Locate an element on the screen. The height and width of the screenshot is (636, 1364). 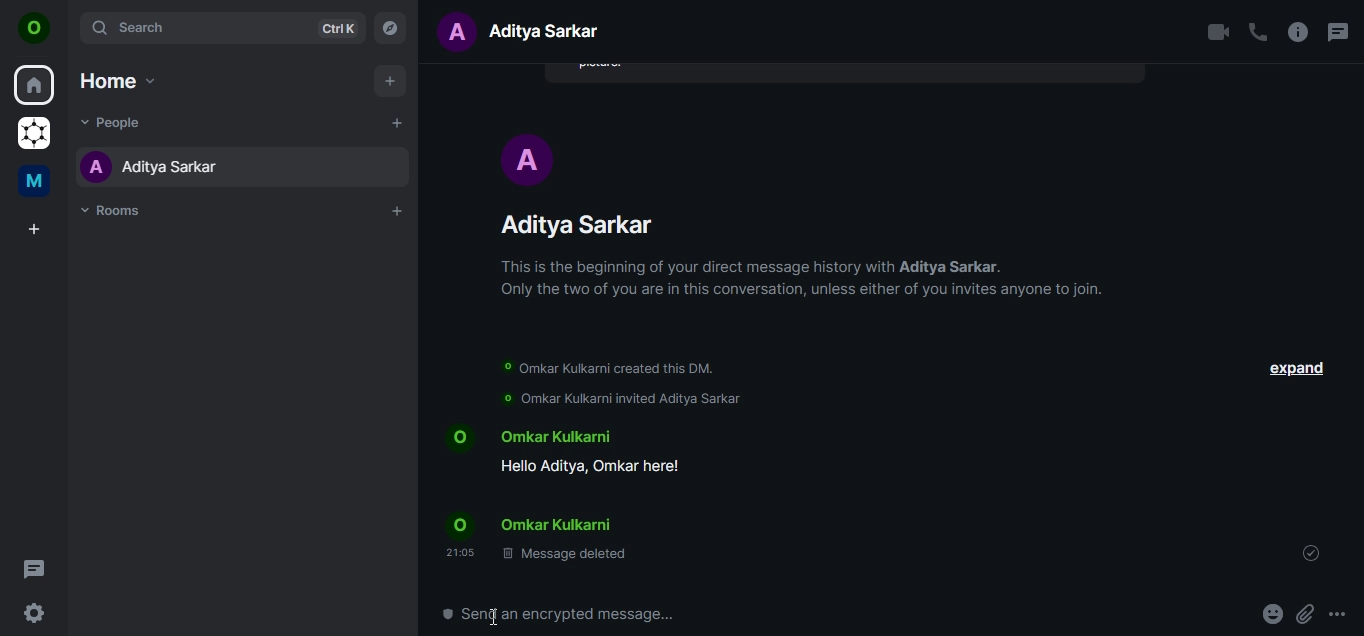
quick settings is located at coordinates (34, 613).